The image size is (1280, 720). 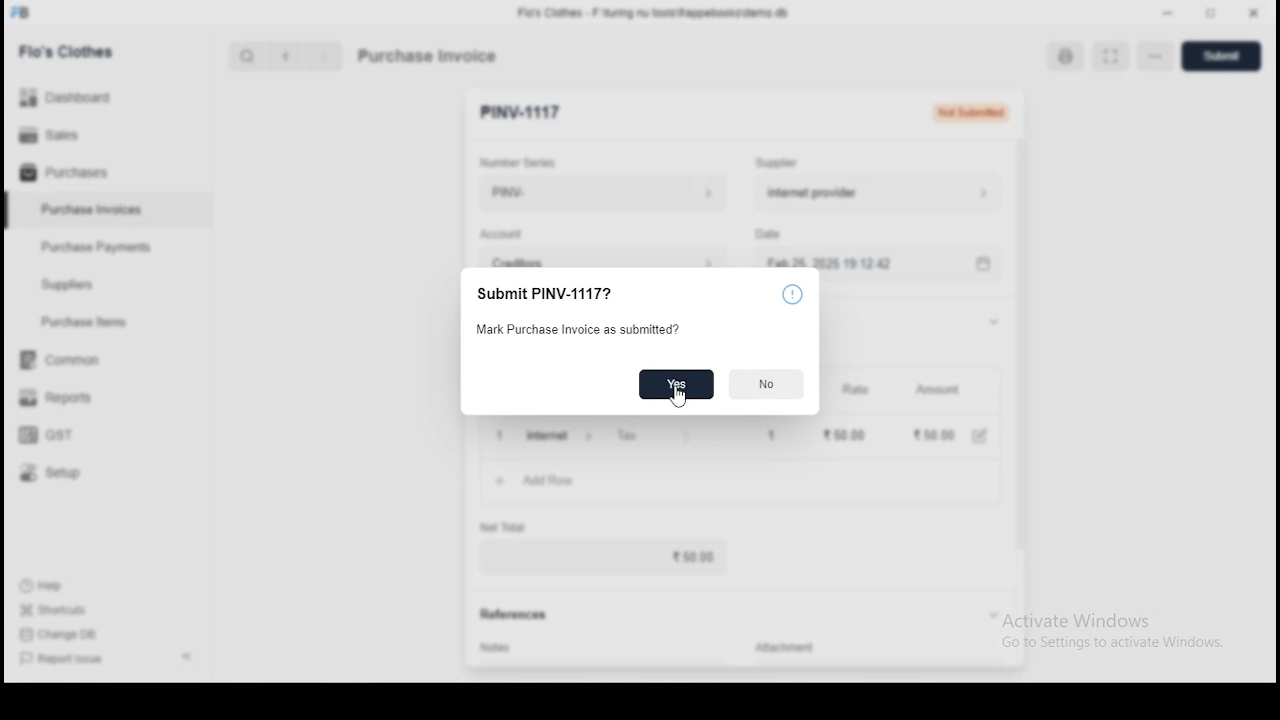 I want to click on icon, so click(x=793, y=293).